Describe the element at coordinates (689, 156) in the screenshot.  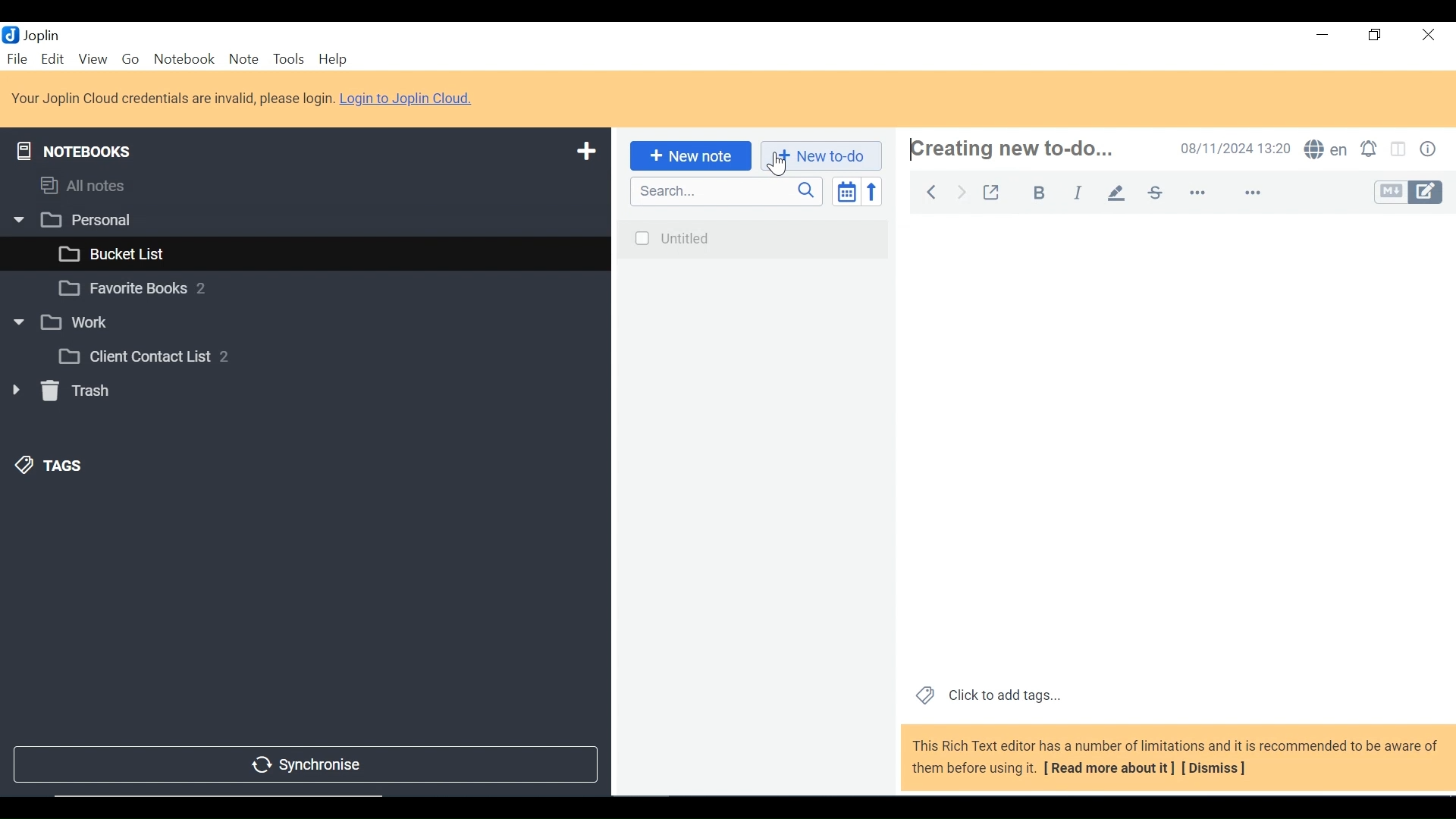
I see `Add New Note` at that location.